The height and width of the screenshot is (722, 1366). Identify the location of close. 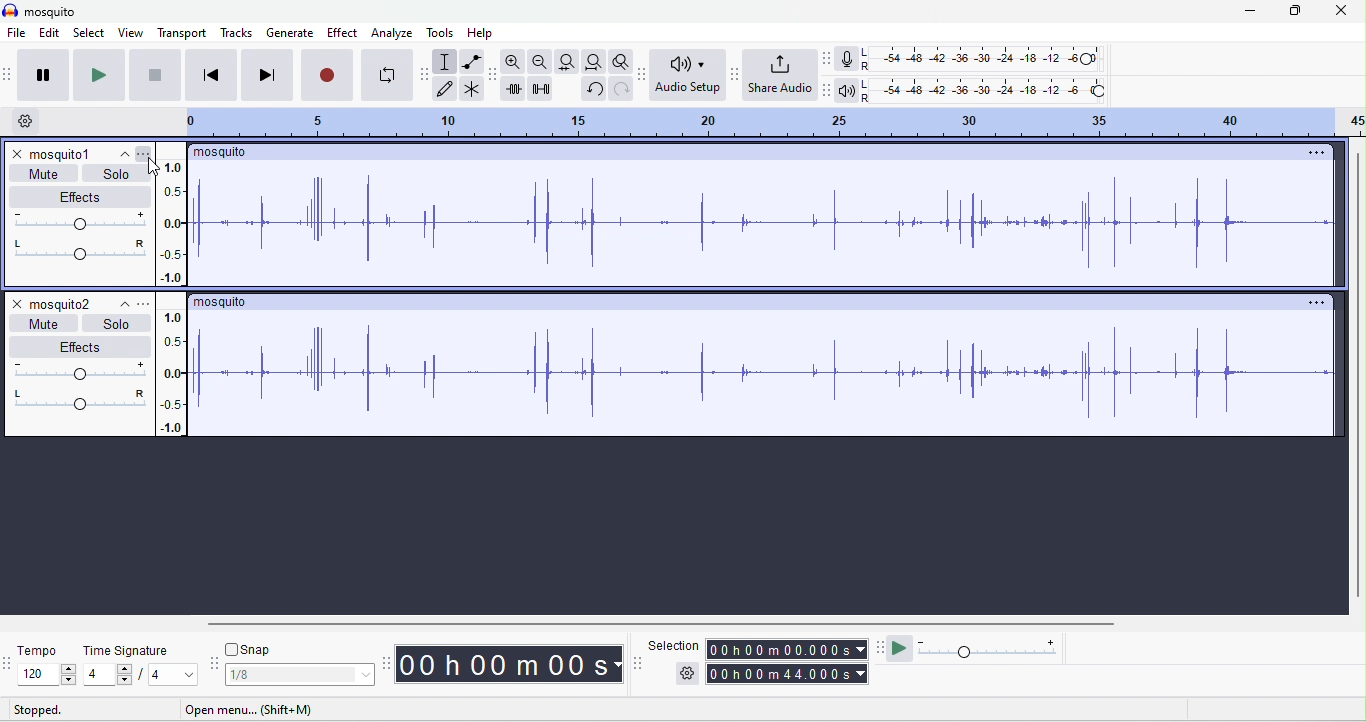
(1340, 10).